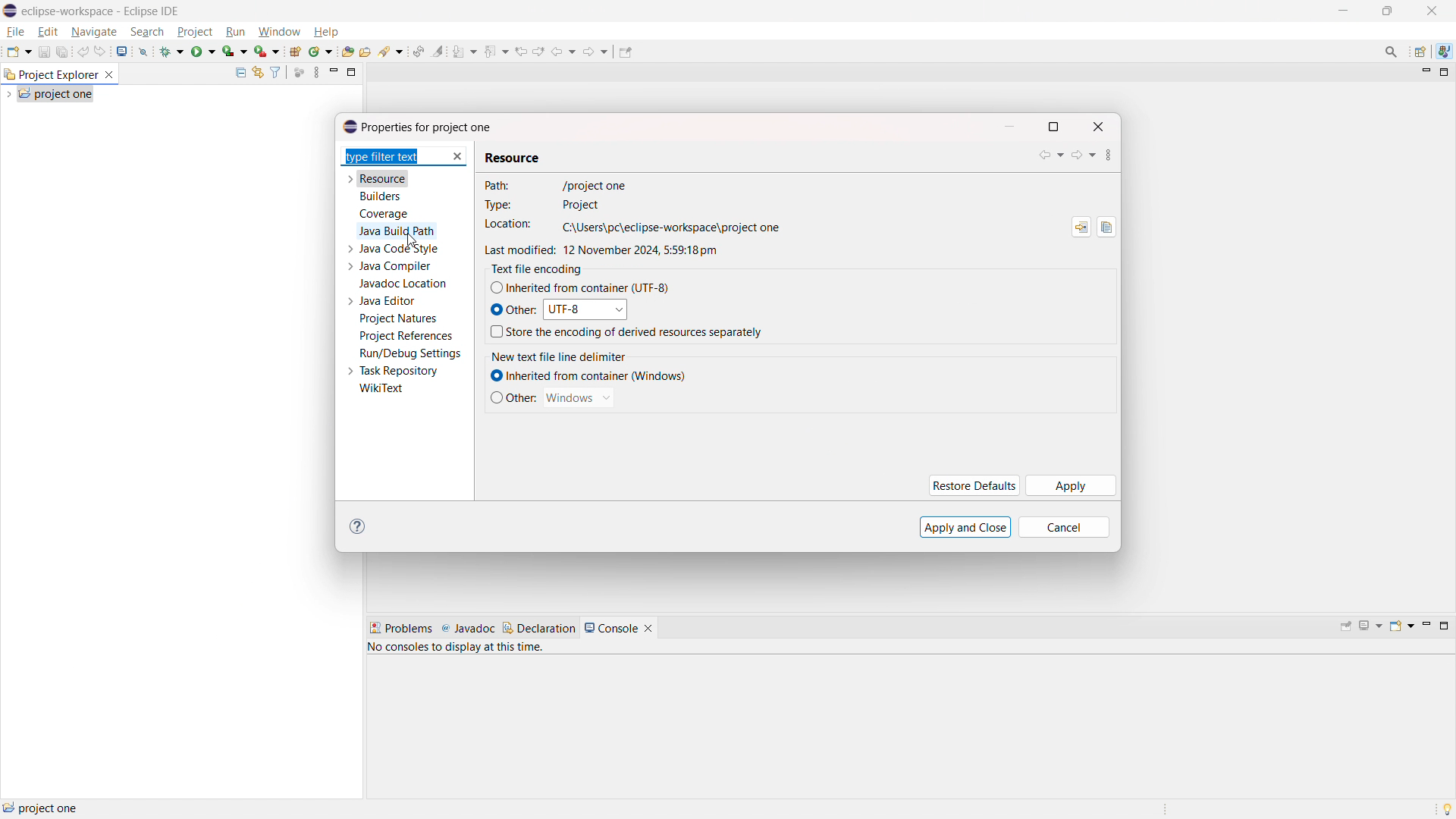 This screenshot has width=1456, height=819. Describe the element at coordinates (438, 51) in the screenshot. I see `toggle ant mark occurances` at that location.